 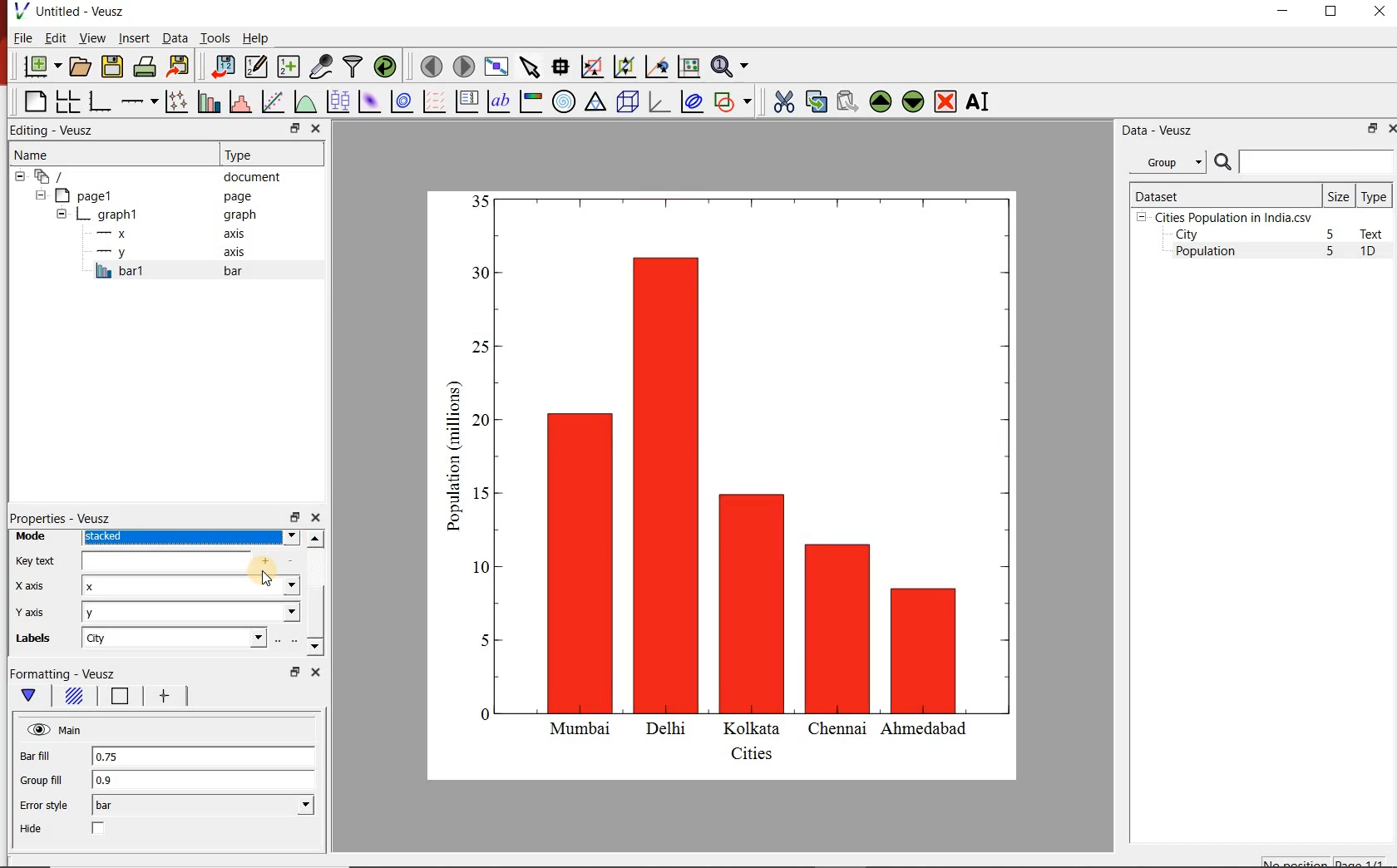 I want to click on plot bar charts, so click(x=206, y=101).